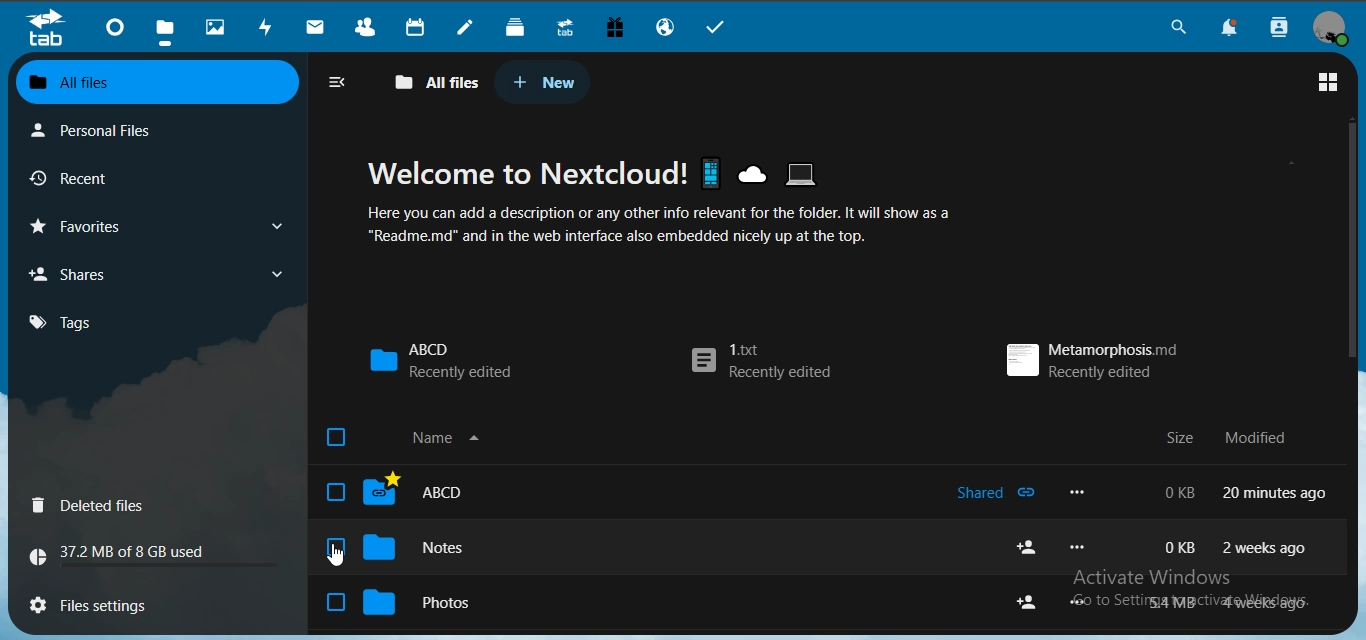 The width and height of the screenshot is (1366, 640). What do you see at coordinates (763, 365) in the screenshot?
I see `1.txt recently, edited` at bounding box center [763, 365].